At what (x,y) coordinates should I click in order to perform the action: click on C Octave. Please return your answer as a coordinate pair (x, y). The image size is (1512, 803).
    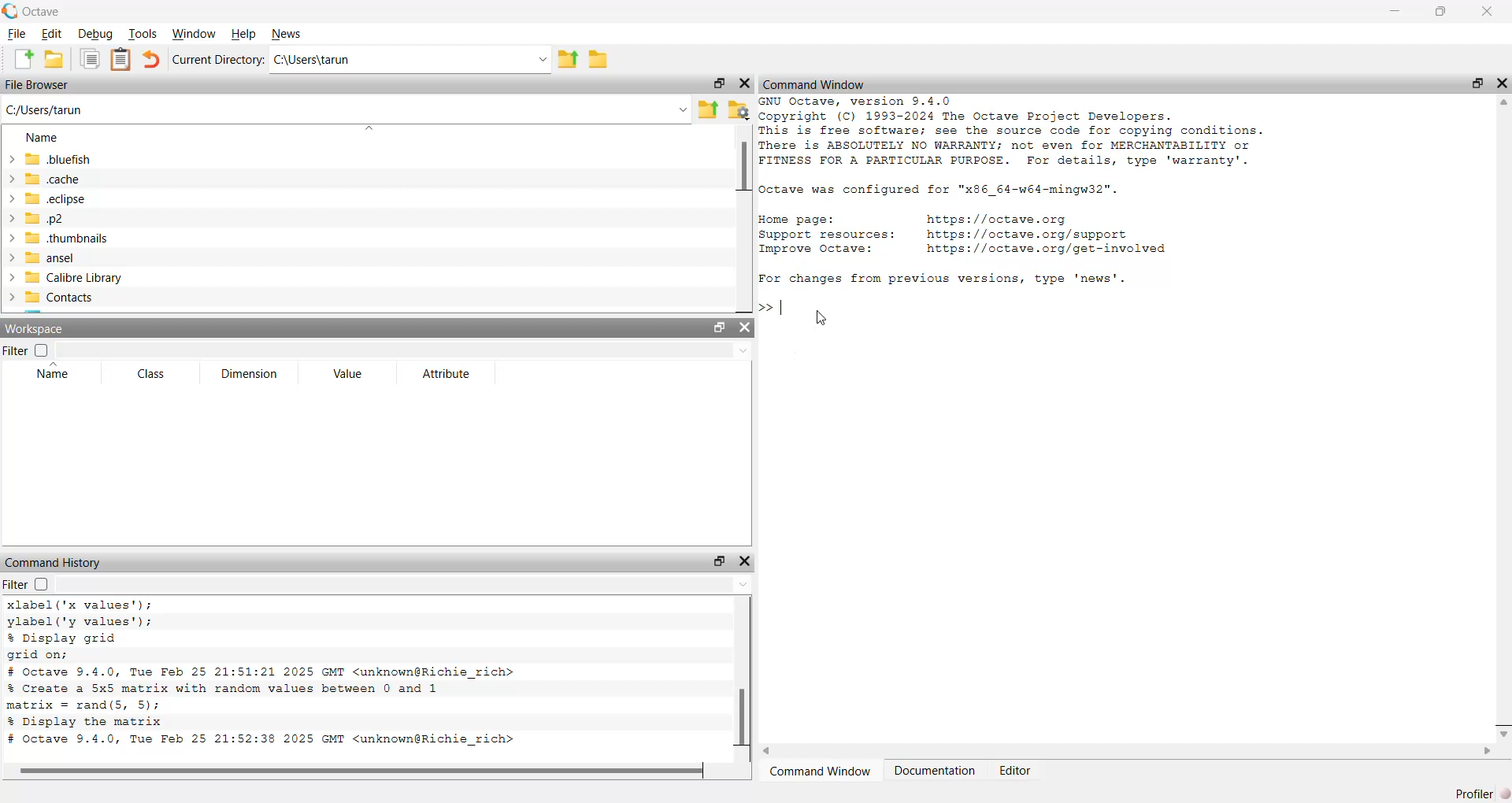
    Looking at the image, I should click on (42, 10).